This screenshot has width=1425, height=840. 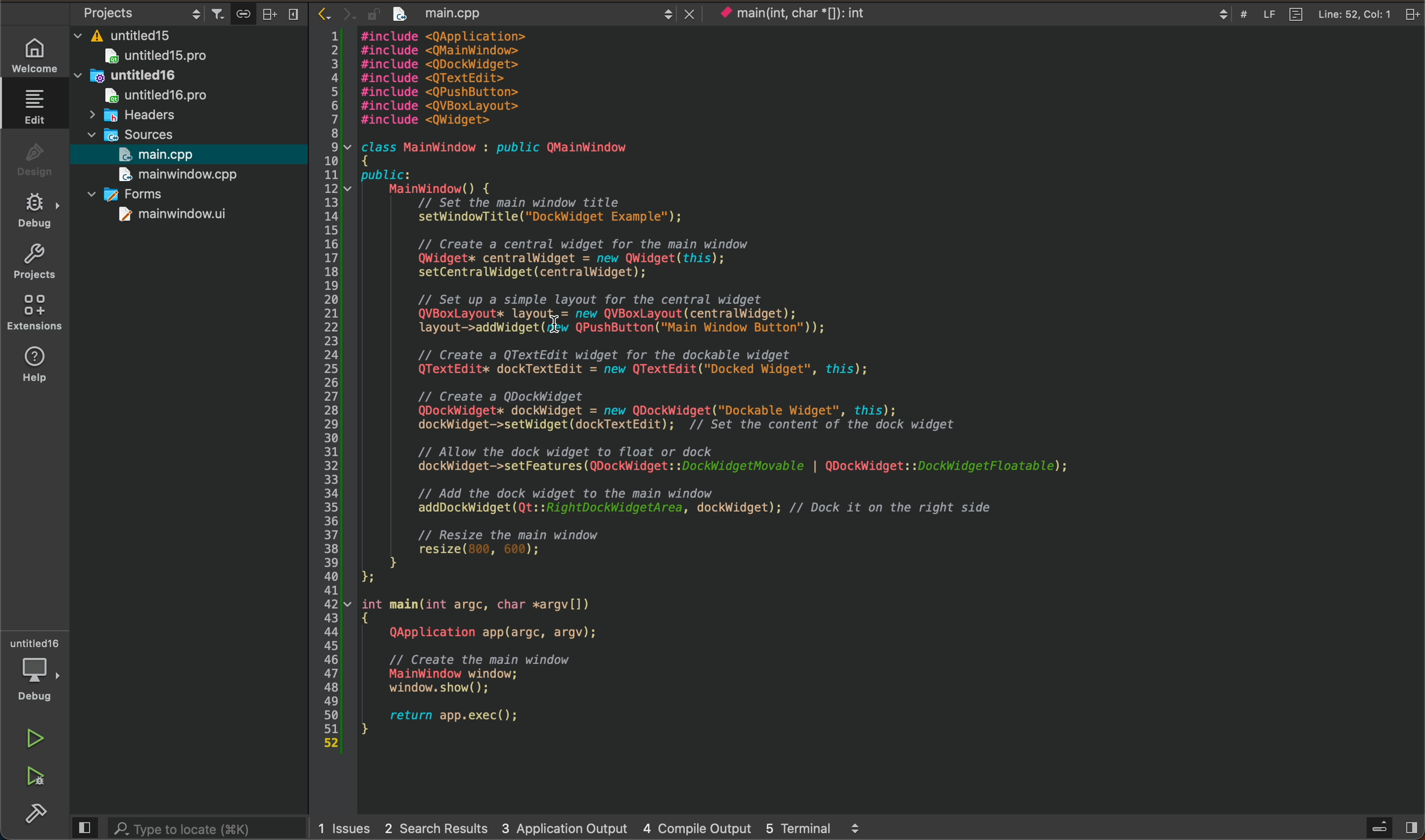 What do you see at coordinates (284, 13) in the screenshot?
I see `close bar` at bounding box center [284, 13].